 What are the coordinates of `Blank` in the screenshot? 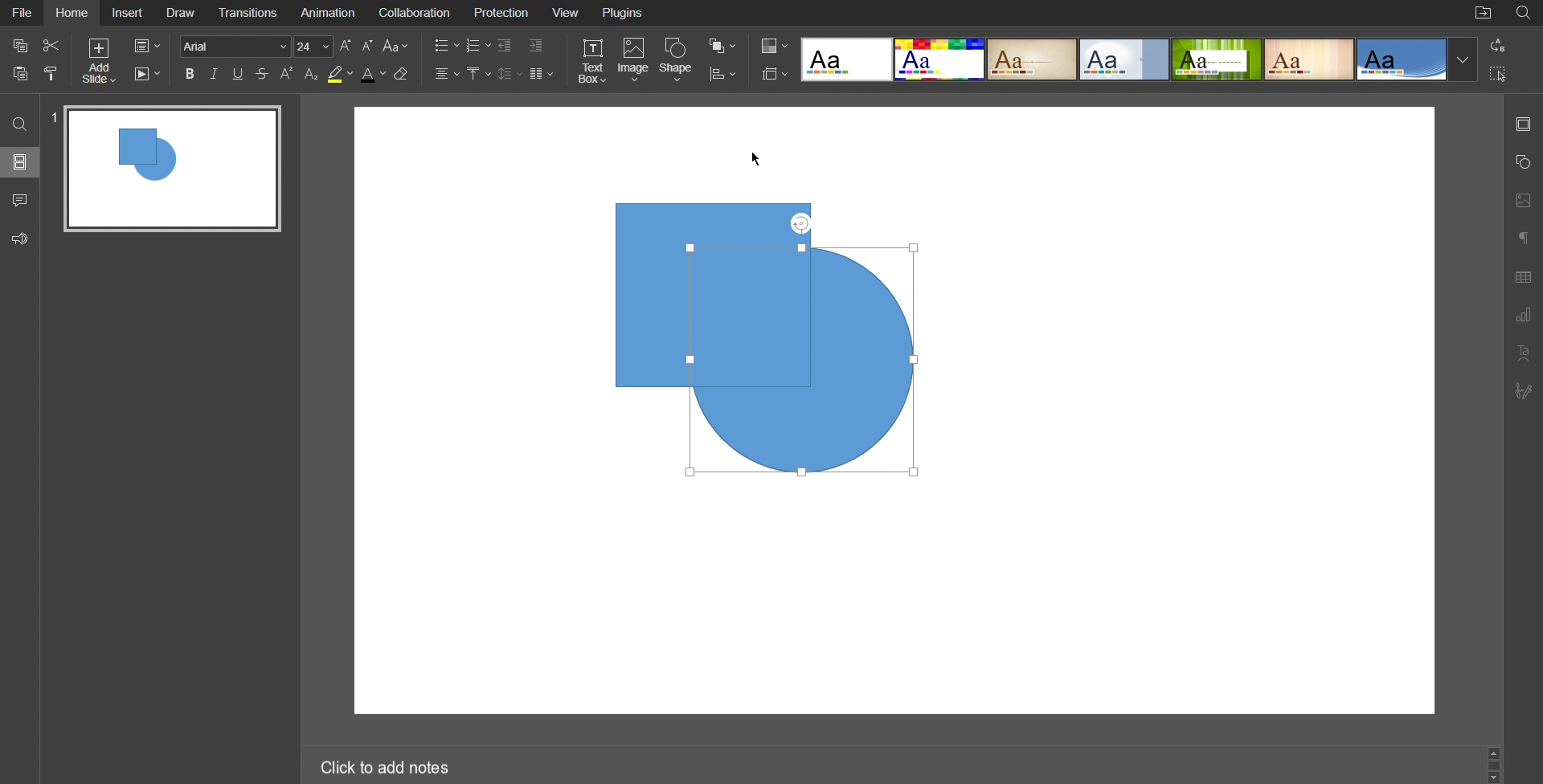 It's located at (846, 59).